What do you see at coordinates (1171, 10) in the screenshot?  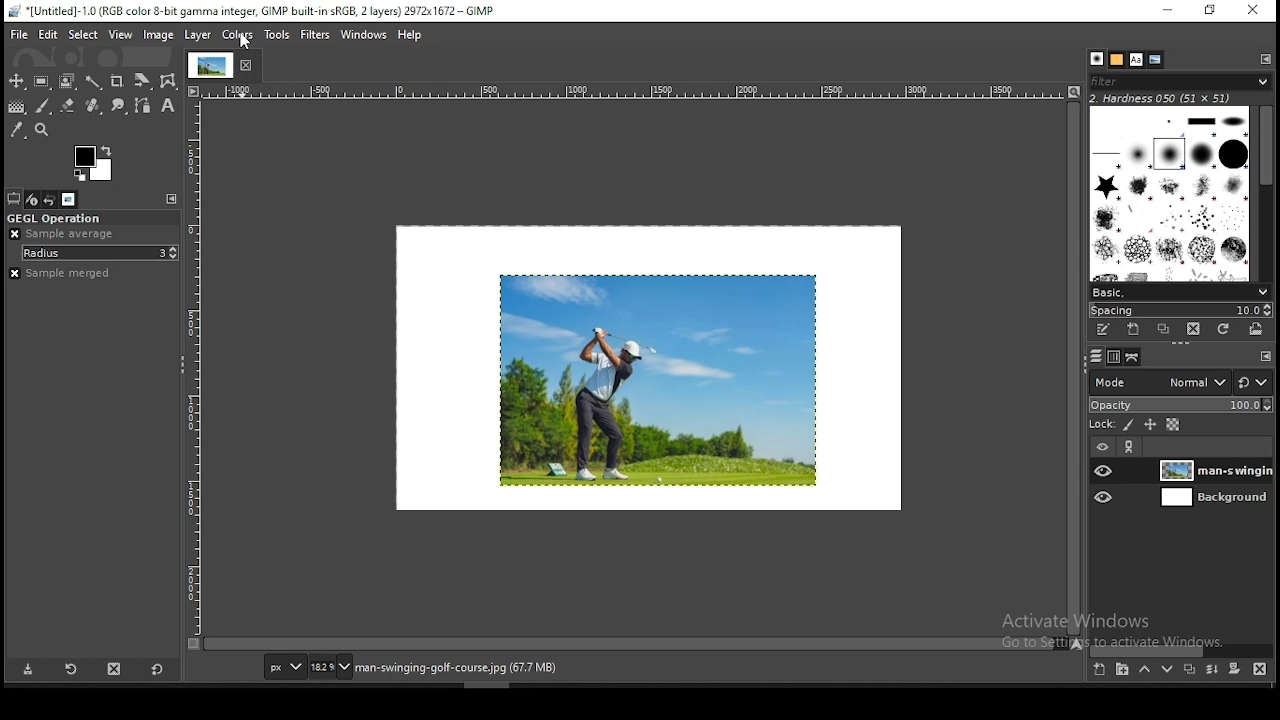 I see `minimize` at bounding box center [1171, 10].